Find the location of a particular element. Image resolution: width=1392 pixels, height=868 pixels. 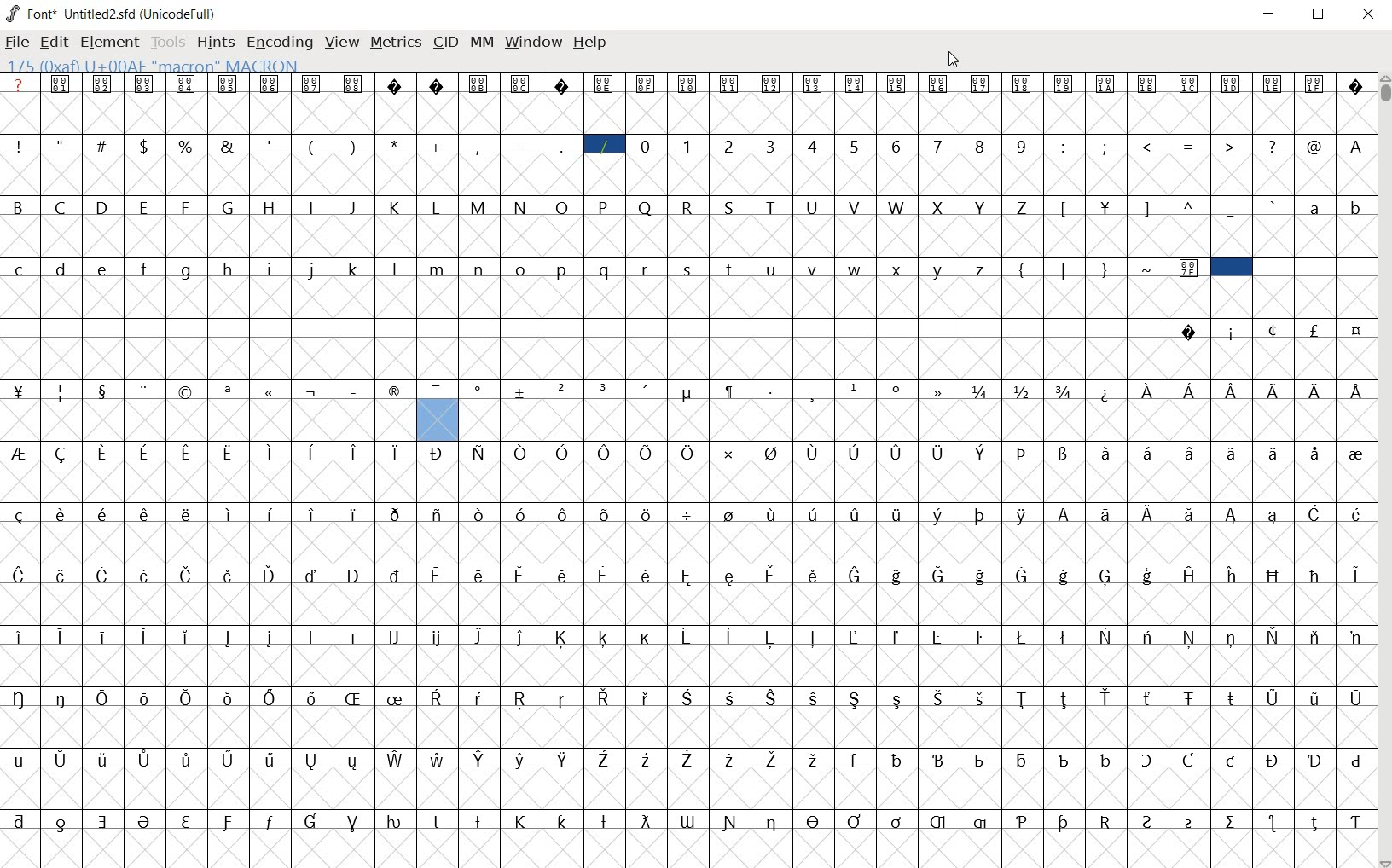

- is located at coordinates (519, 145).